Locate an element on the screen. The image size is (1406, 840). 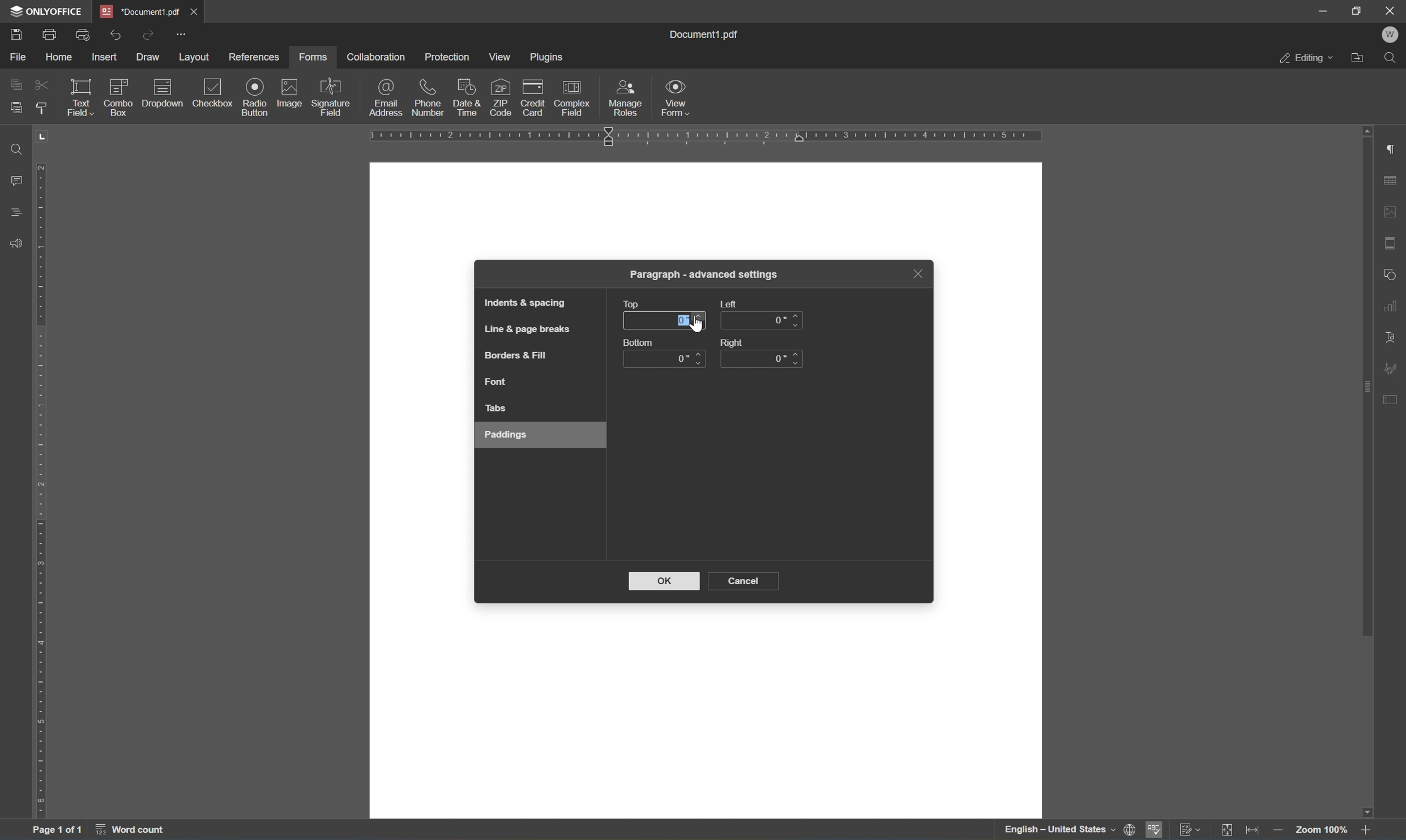
manage roles is located at coordinates (626, 97).